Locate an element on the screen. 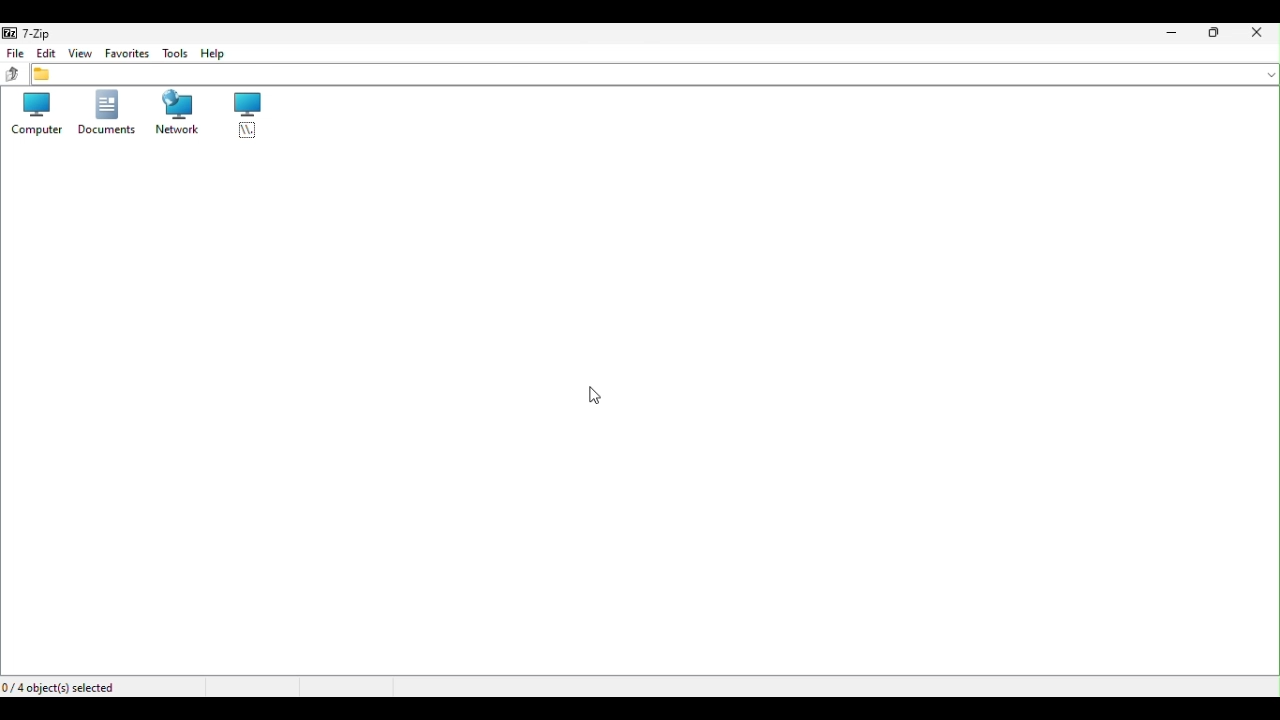 This screenshot has width=1280, height=720. root is located at coordinates (237, 115).